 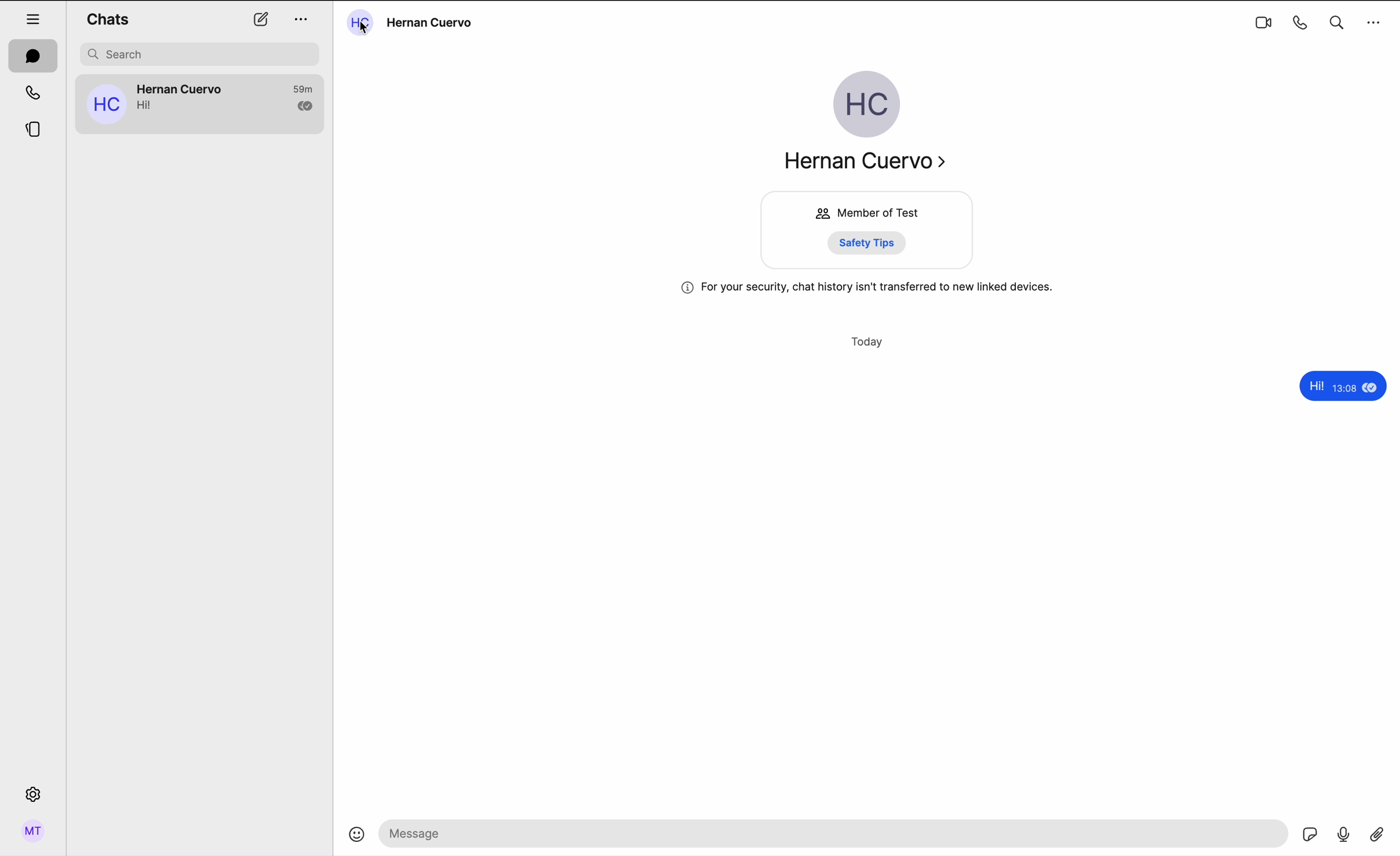 What do you see at coordinates (865, 287) in the screenshot?
I see `information` at bounding box center [865, 287].